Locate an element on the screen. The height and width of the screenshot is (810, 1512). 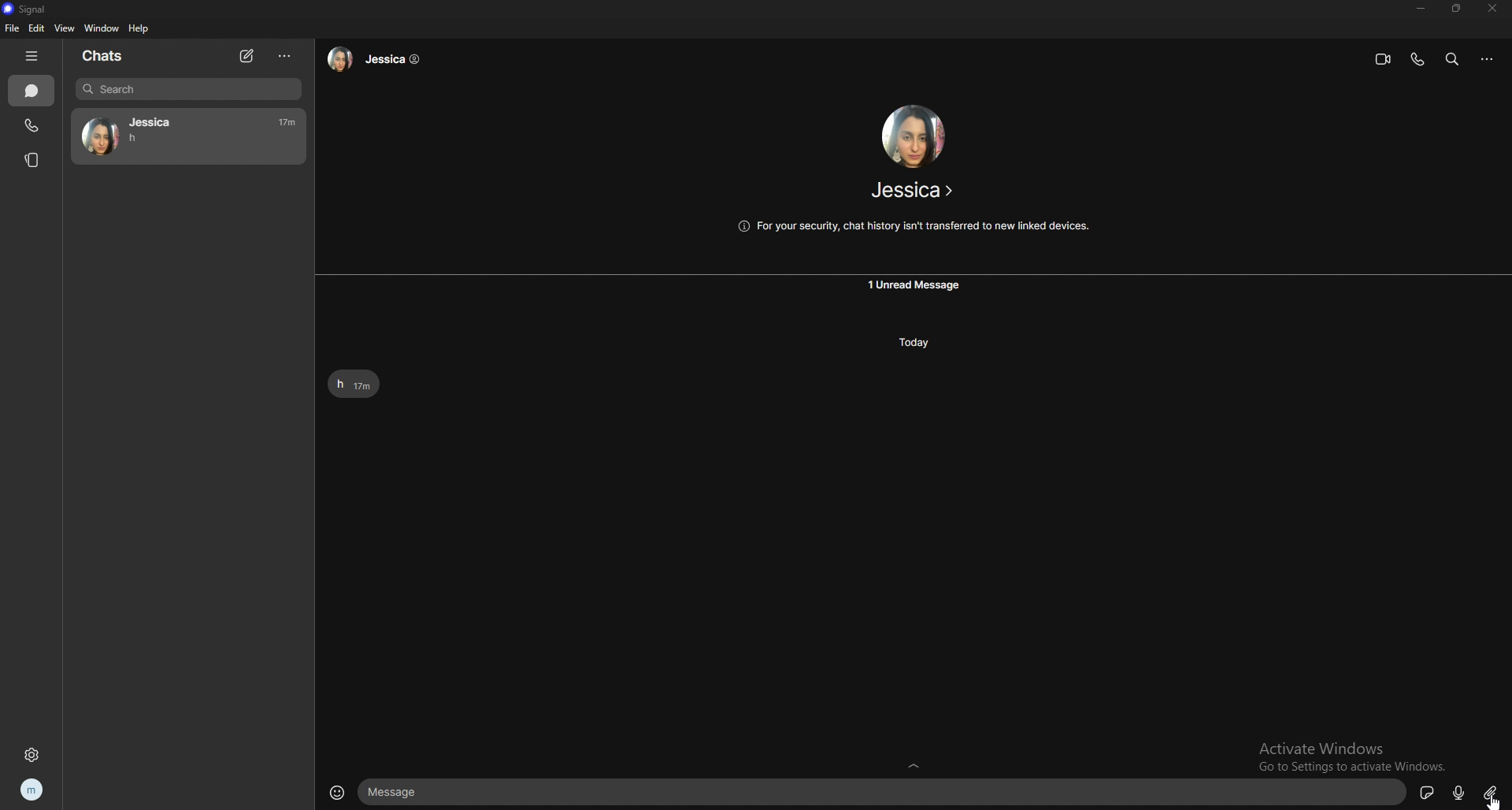
17m is located at coordinates (287, 123).